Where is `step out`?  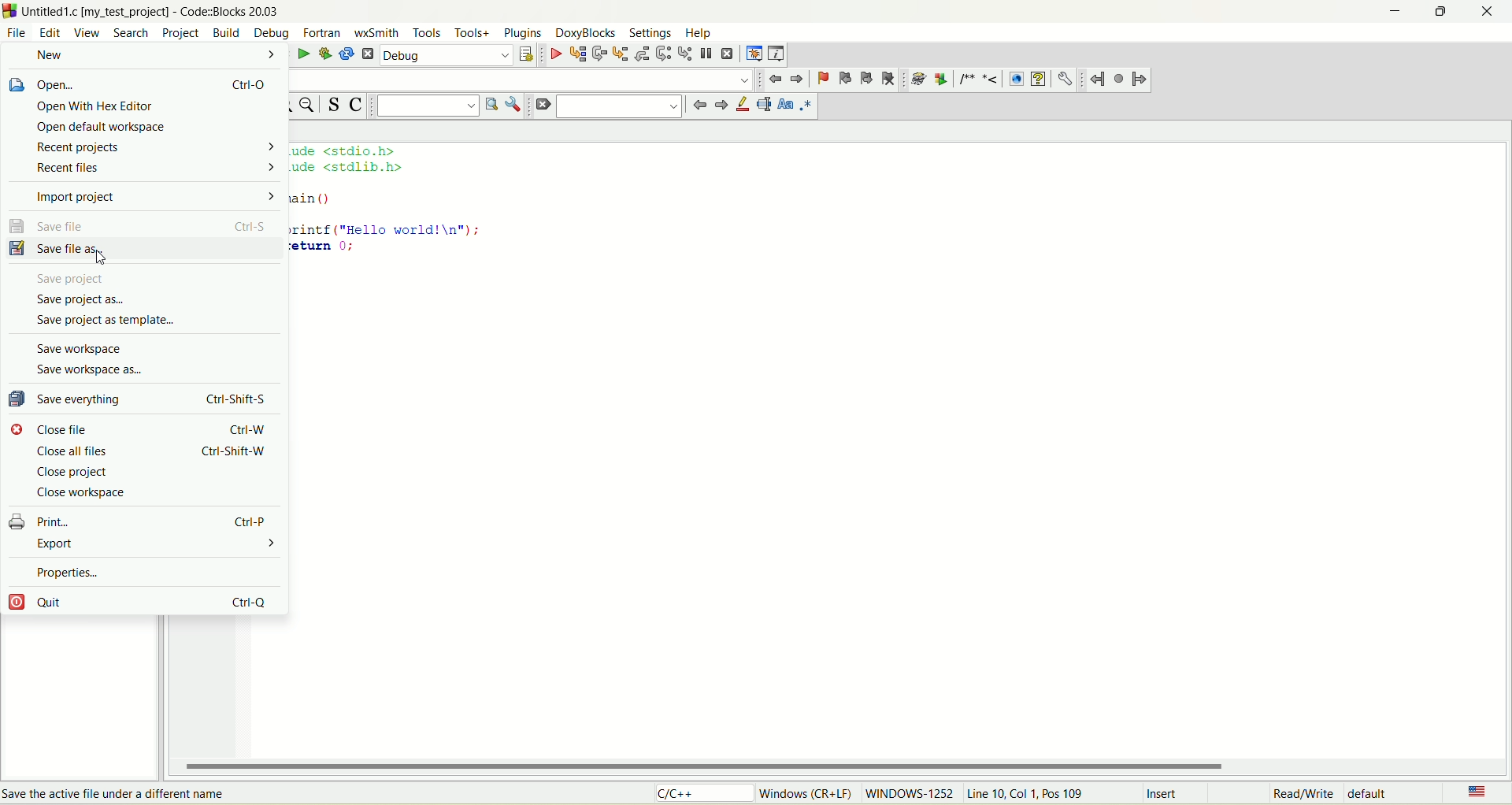 step out is located at coordinates (640, 54).